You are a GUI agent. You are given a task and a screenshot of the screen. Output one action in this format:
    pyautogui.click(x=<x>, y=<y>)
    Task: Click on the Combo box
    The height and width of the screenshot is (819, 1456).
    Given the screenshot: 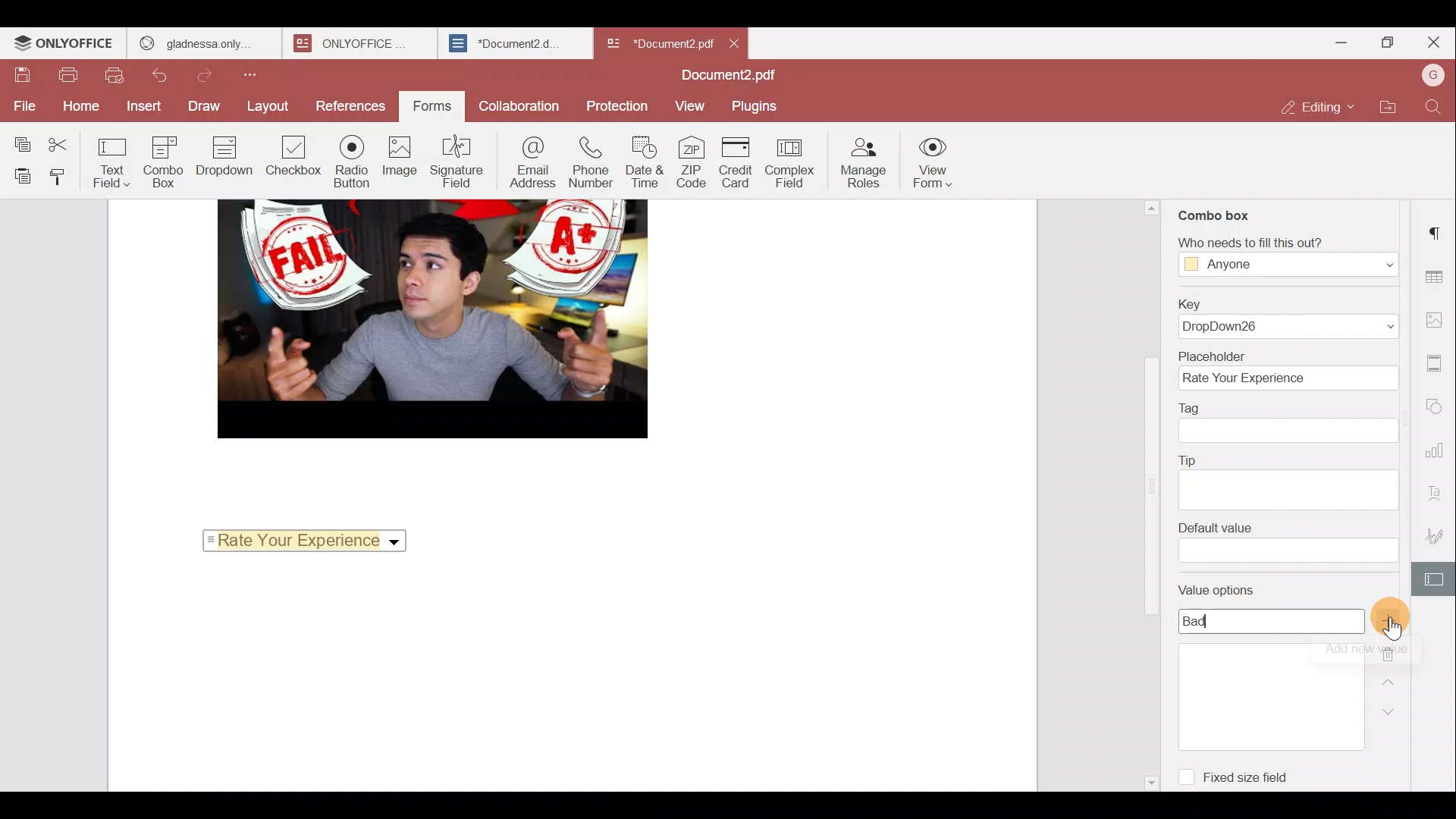 What is the action you would take?
    pyautogui.click(x=169, y=162)
    